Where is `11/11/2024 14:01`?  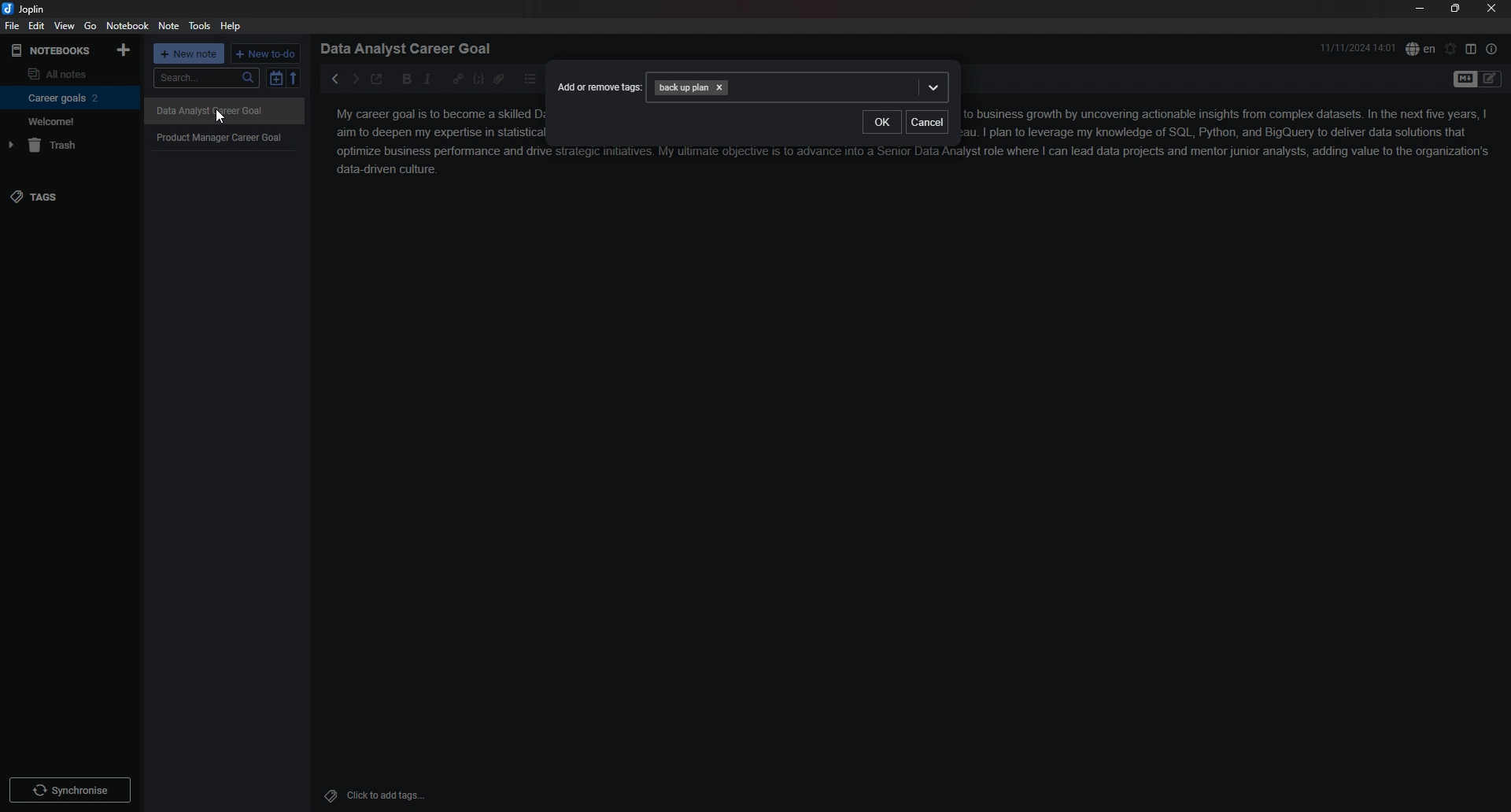
11/11/2024 14:01 is located at coordinates (1358, 47).